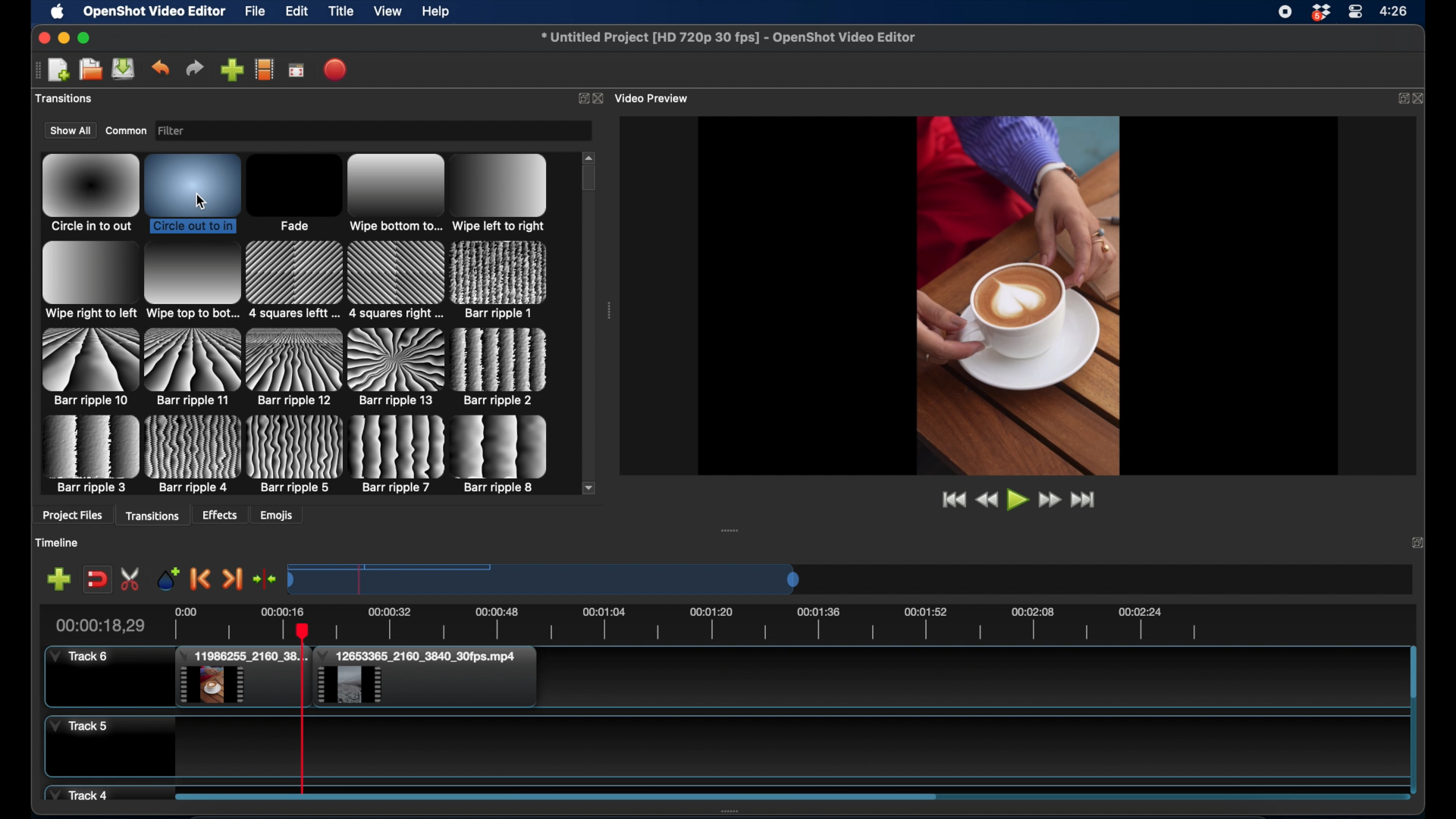 This screenshot has width=1456, height=819. What do you see at coordinates (600, 99) in the screenshot?
I see `close` at bounding box center [600, 99].